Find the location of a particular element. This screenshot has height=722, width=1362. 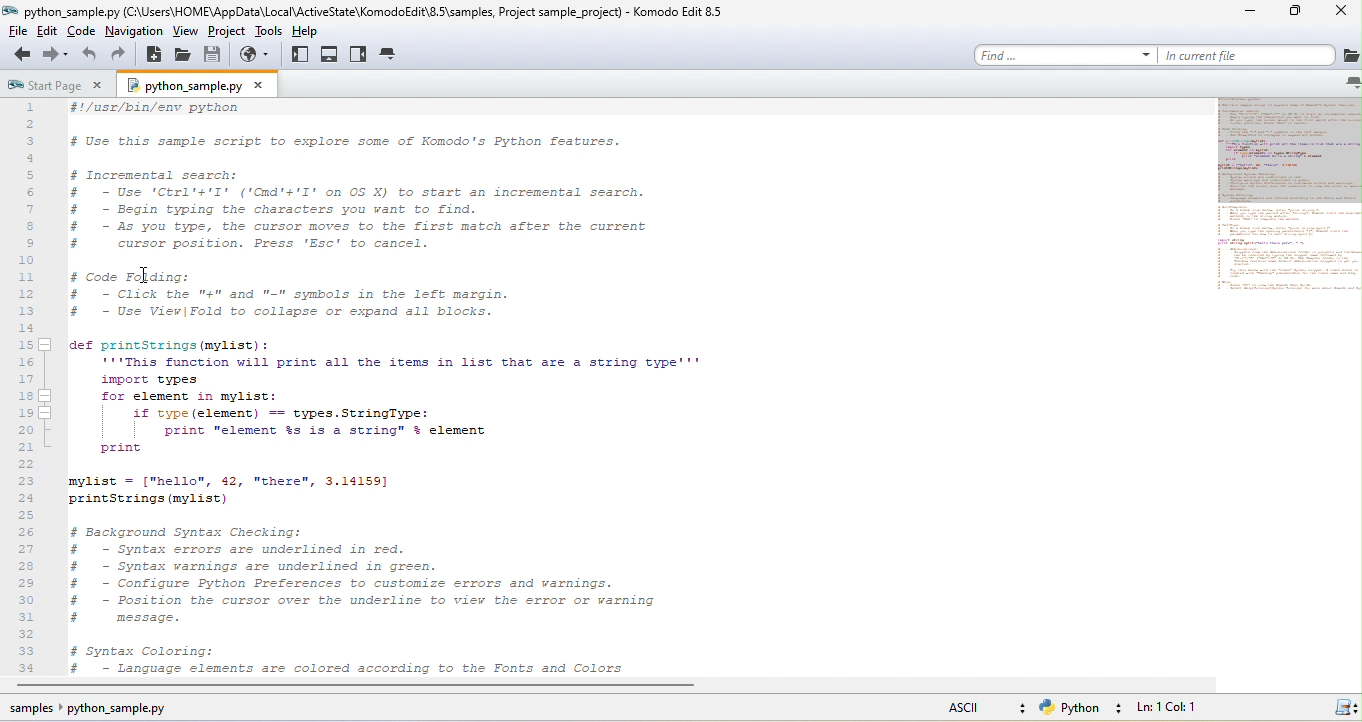

help is located at coordinates (320, 34).